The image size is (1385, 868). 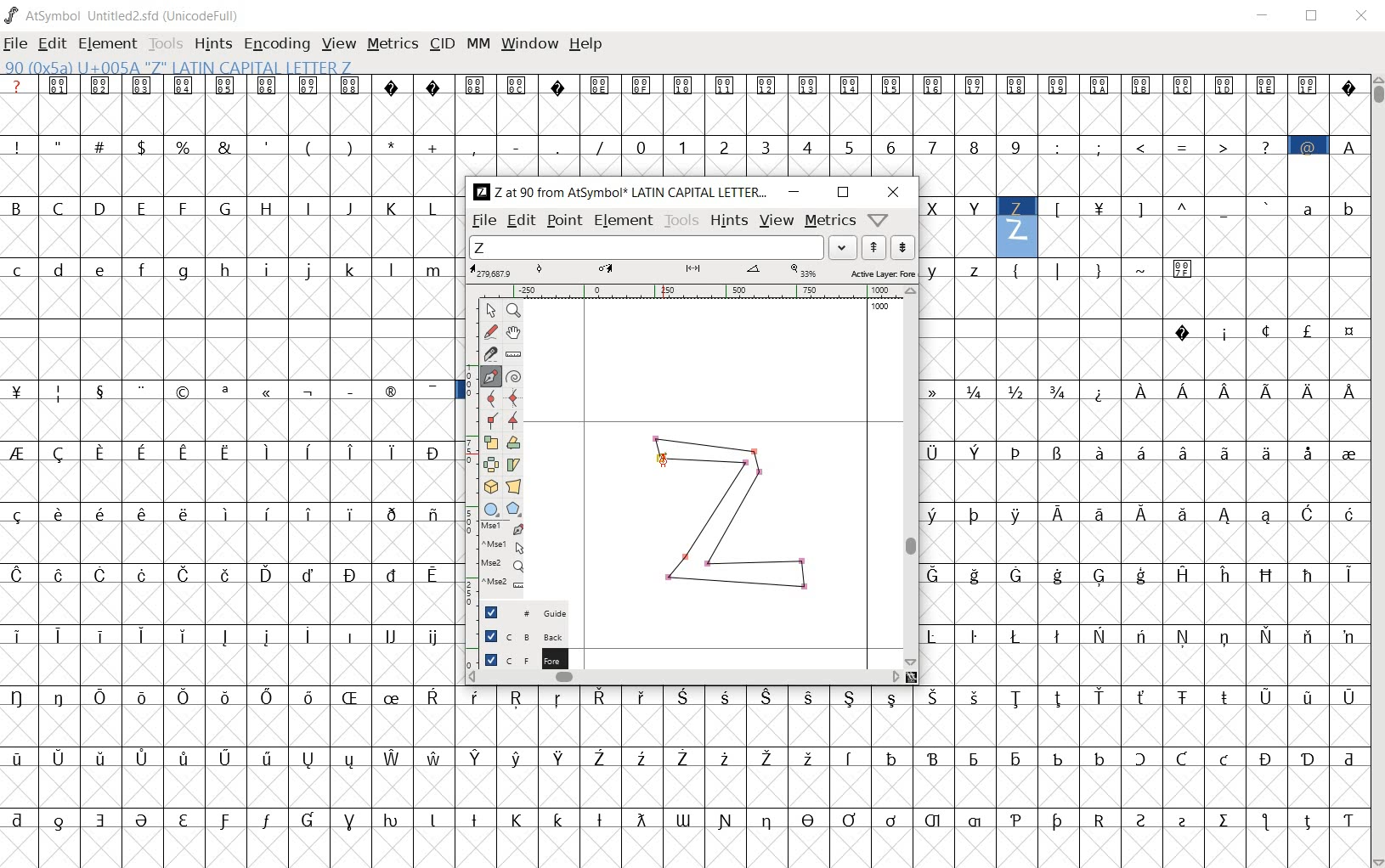 I want to click on scroll by hand, so click(x=515, y=332).